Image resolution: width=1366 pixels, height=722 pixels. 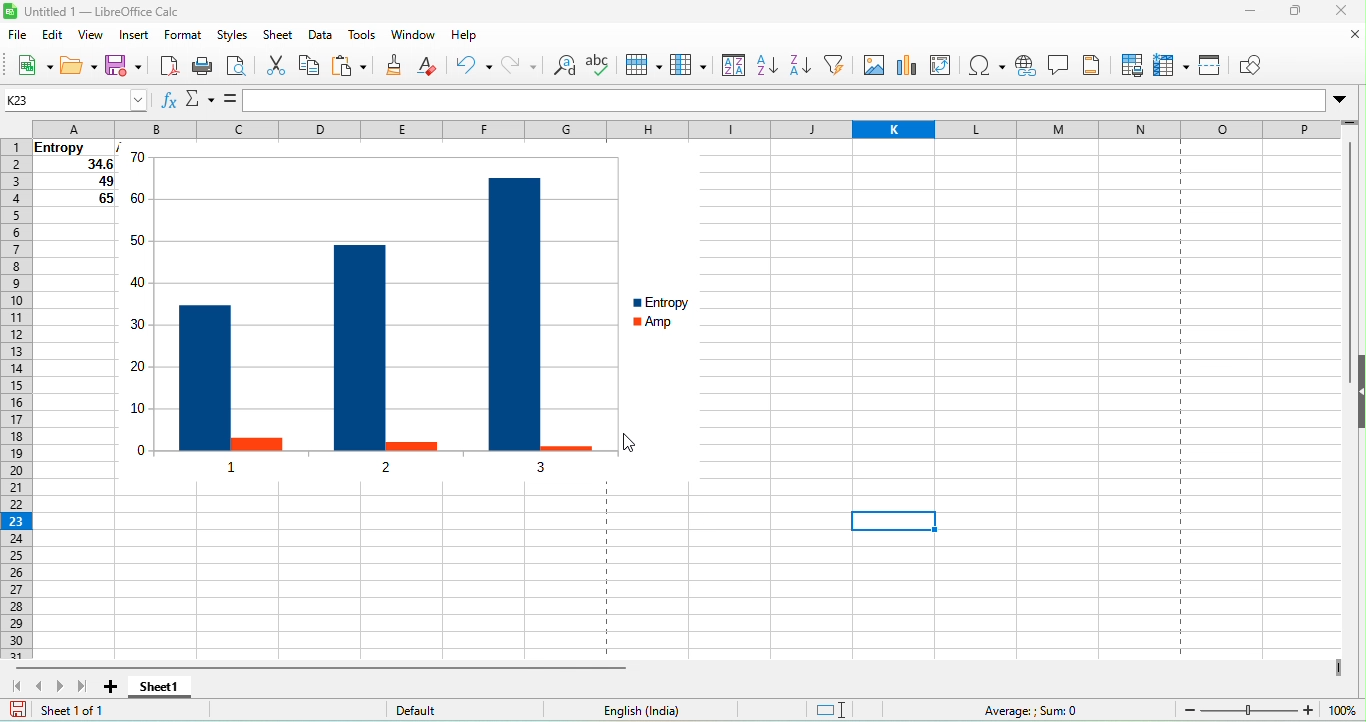 I want to click on row, so click(x=647, y=65).